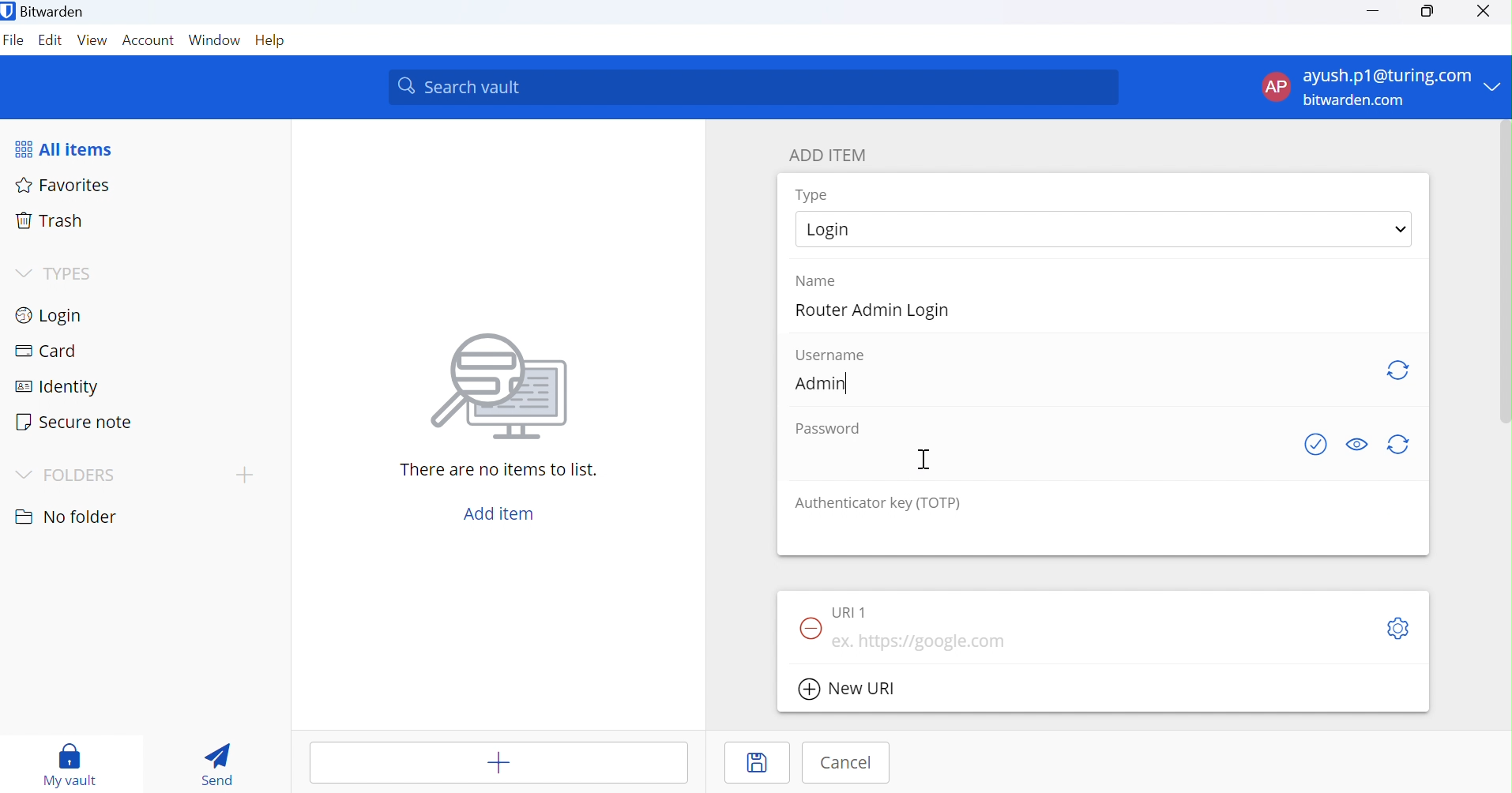 The width and height of the screenshot is (1512, 793). I want to click on add items, so click(498, 762).